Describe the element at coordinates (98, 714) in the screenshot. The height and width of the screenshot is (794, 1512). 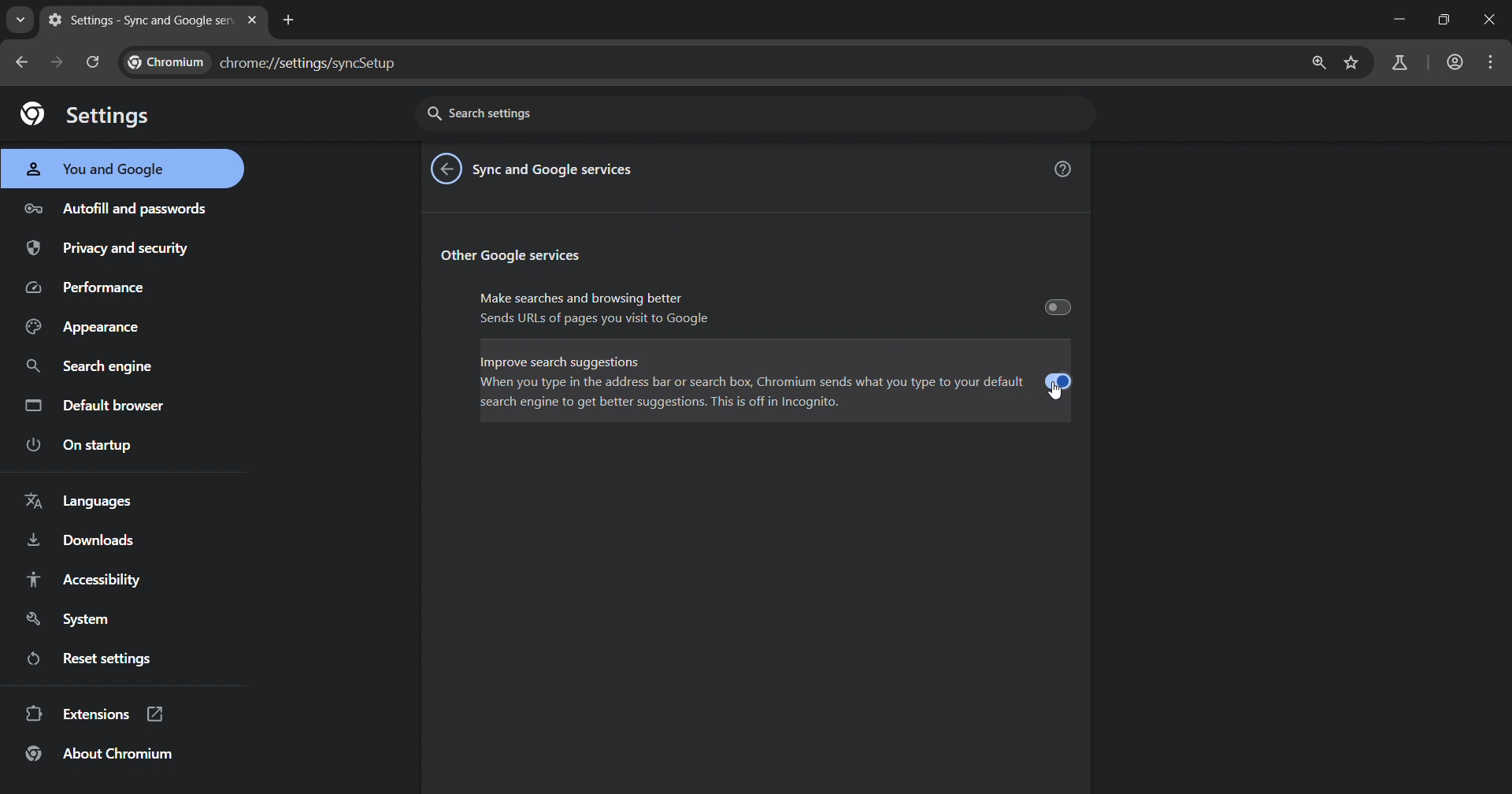
I see `extension` at that location.